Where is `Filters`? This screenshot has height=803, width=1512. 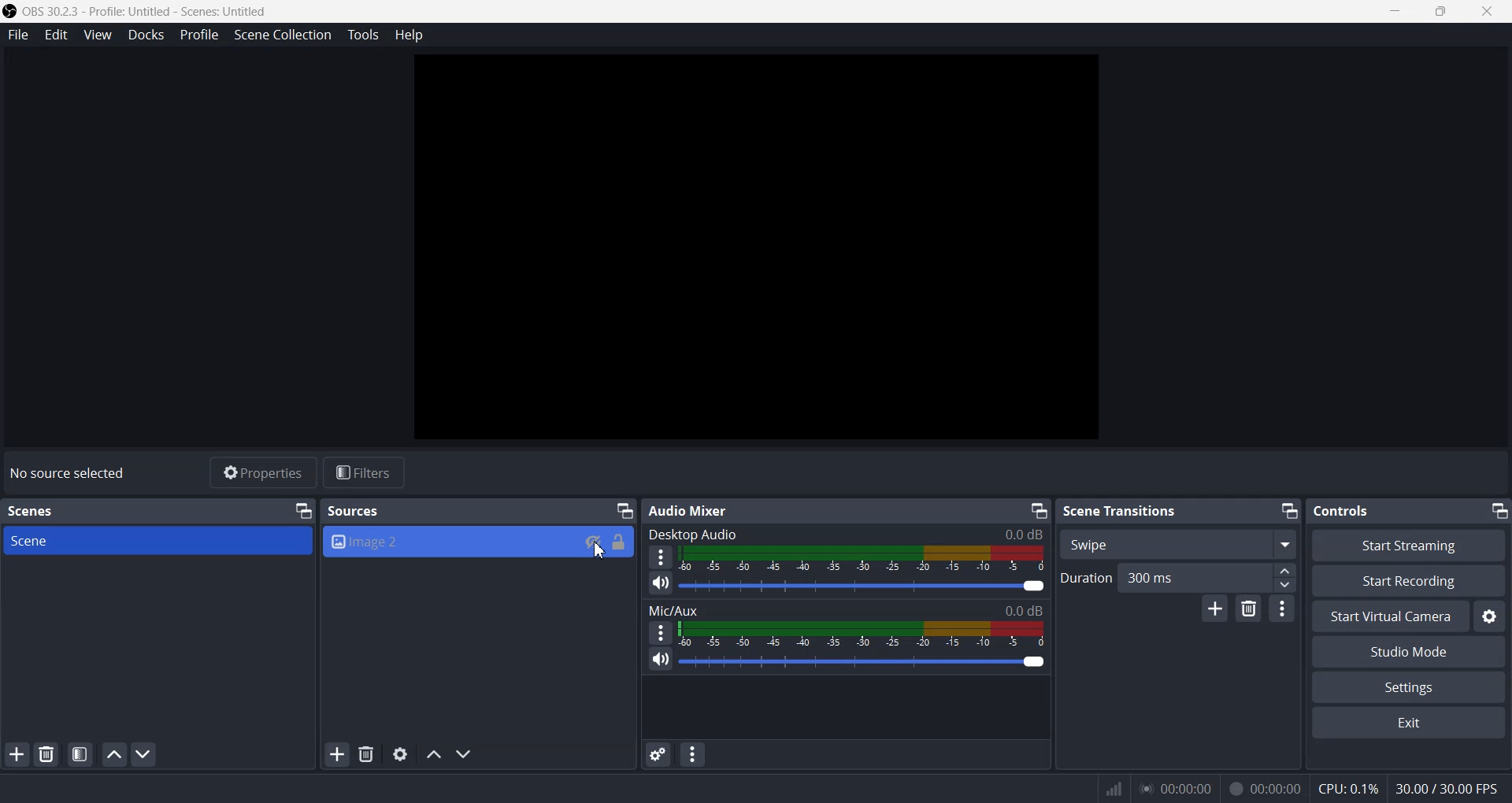
Filters is located at coordinates (365, 472).